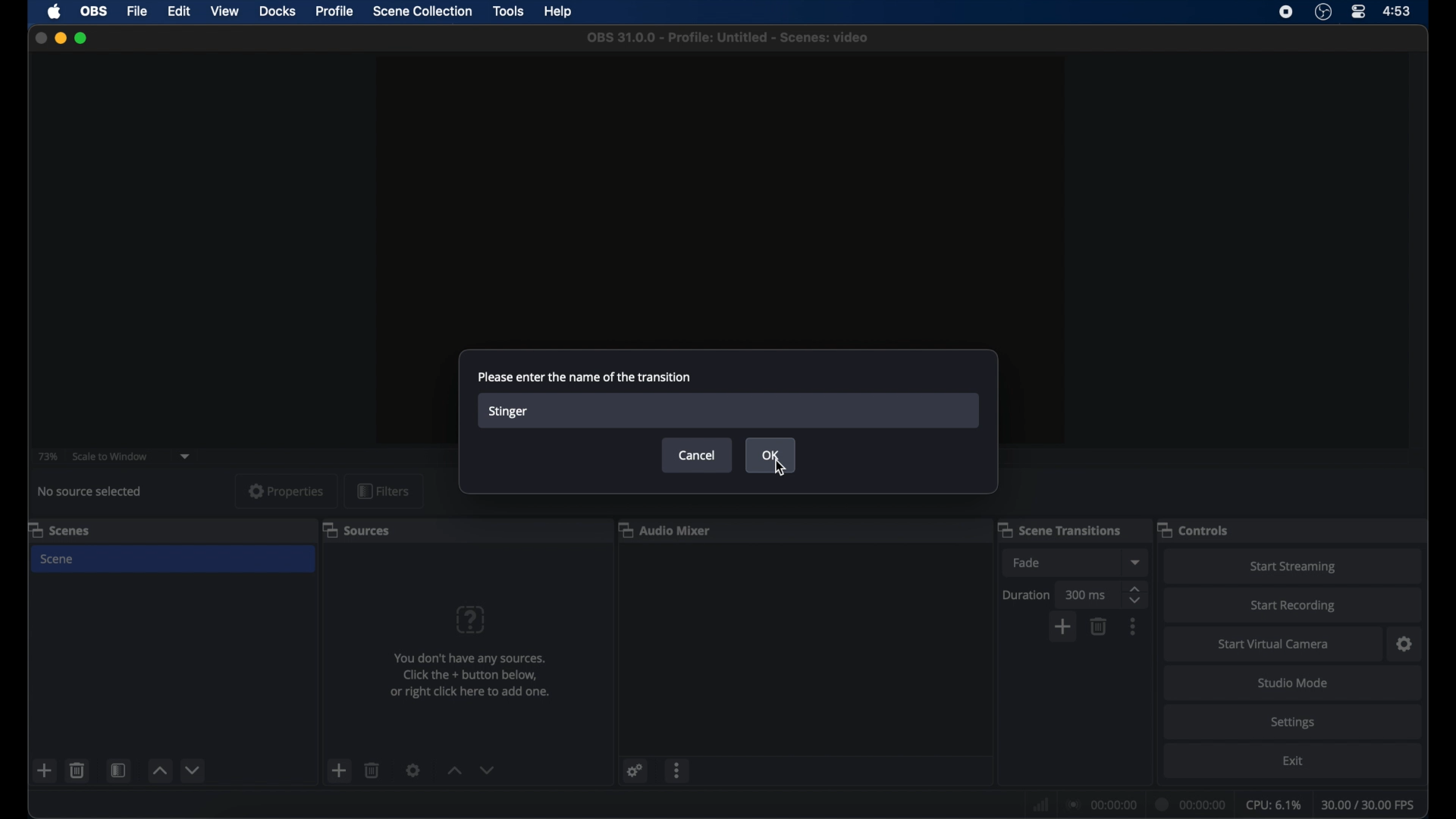 This screenshot has height=819, width=1456. Describe the element at coordinates (1100, 804) in the screenshot. I see `connection` at that location.